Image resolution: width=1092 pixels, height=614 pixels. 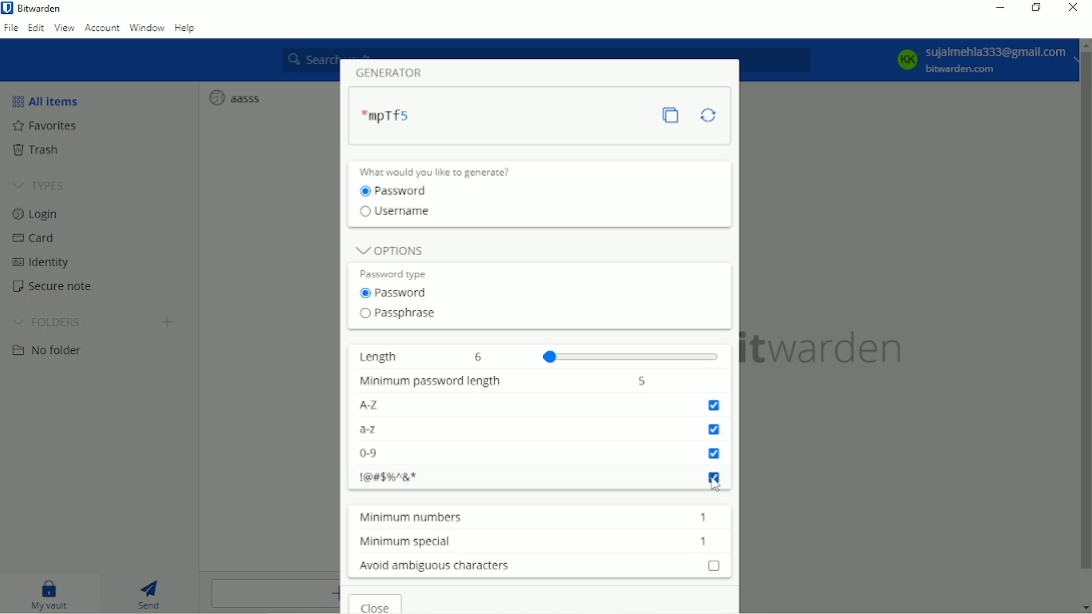 I want to click on Edit, so click(x=36, y=27).